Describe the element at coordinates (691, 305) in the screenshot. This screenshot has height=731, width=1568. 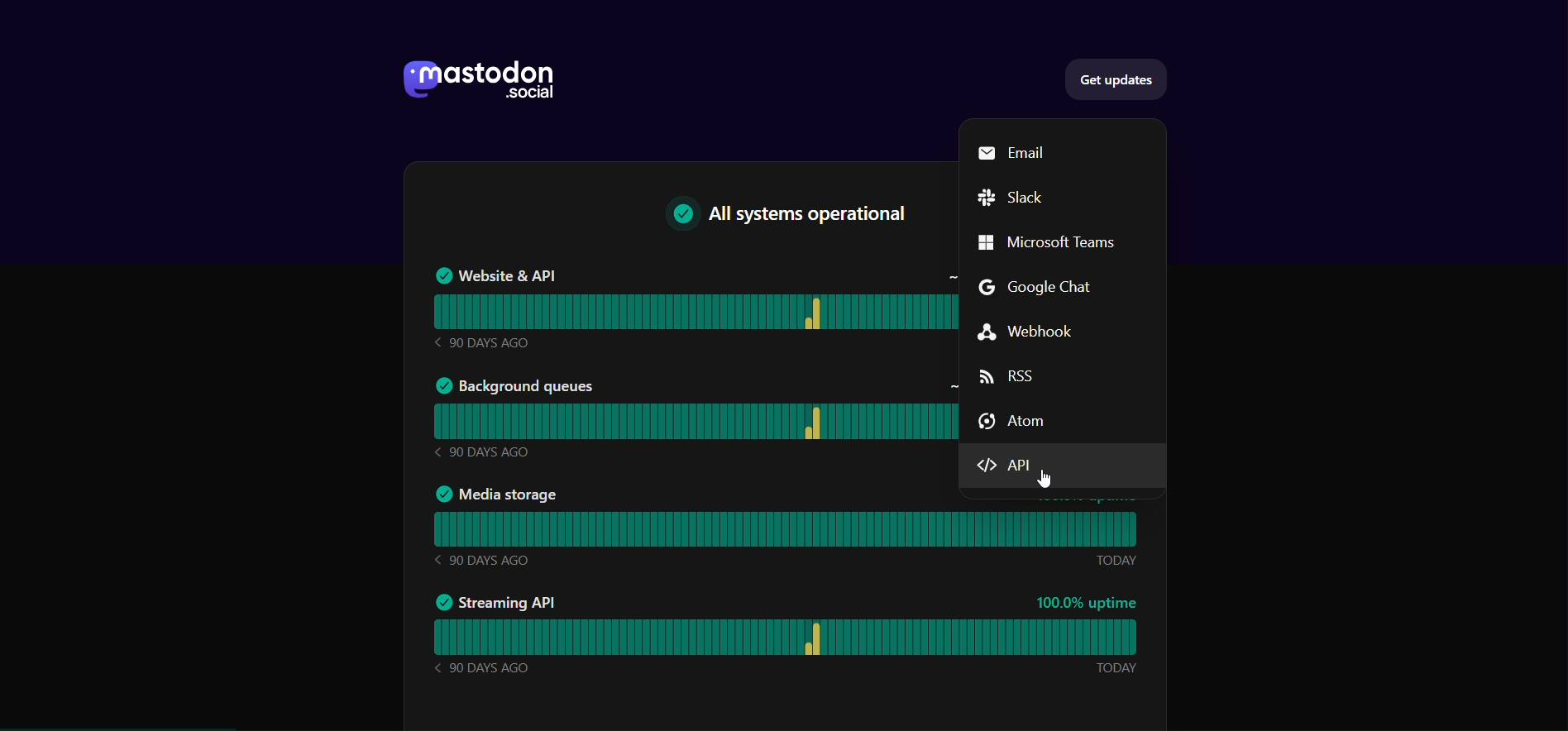
I see `Website & API status` at that location.